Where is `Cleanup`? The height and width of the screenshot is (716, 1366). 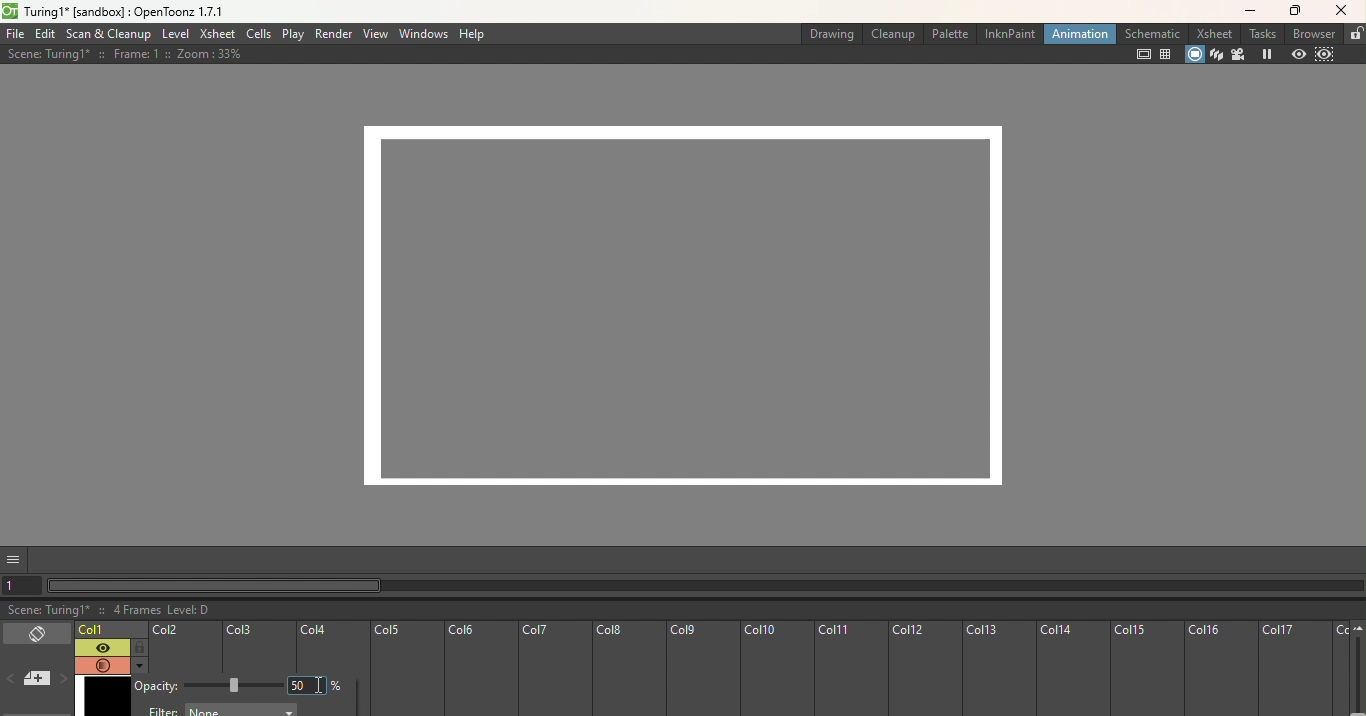
Cleanup is located at coordinates (892, 33).